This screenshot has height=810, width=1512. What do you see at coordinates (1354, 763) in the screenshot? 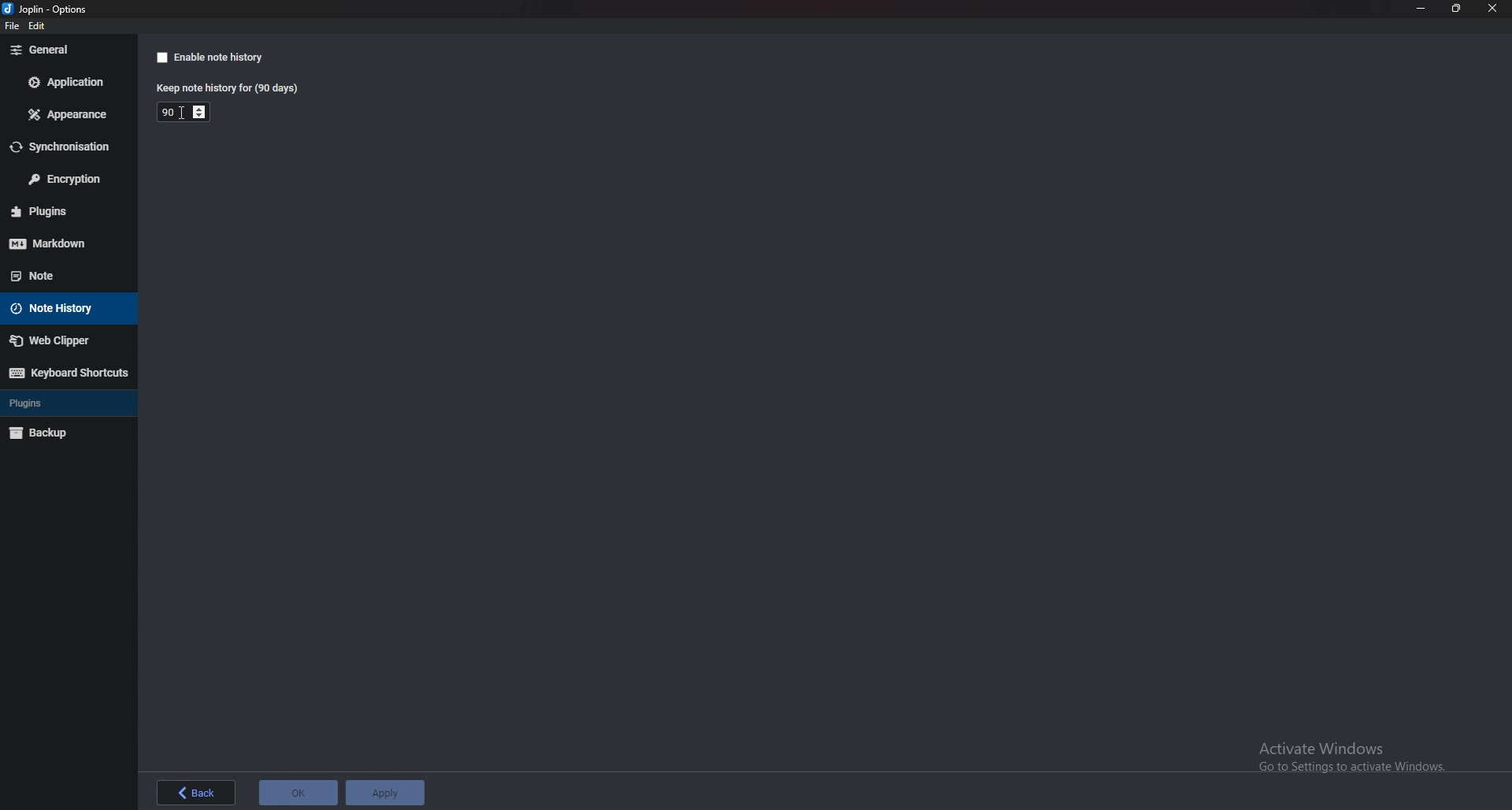
I see `Activate Windows
Go to Settings to activate Windows.` at bounding box center [1354, 763].